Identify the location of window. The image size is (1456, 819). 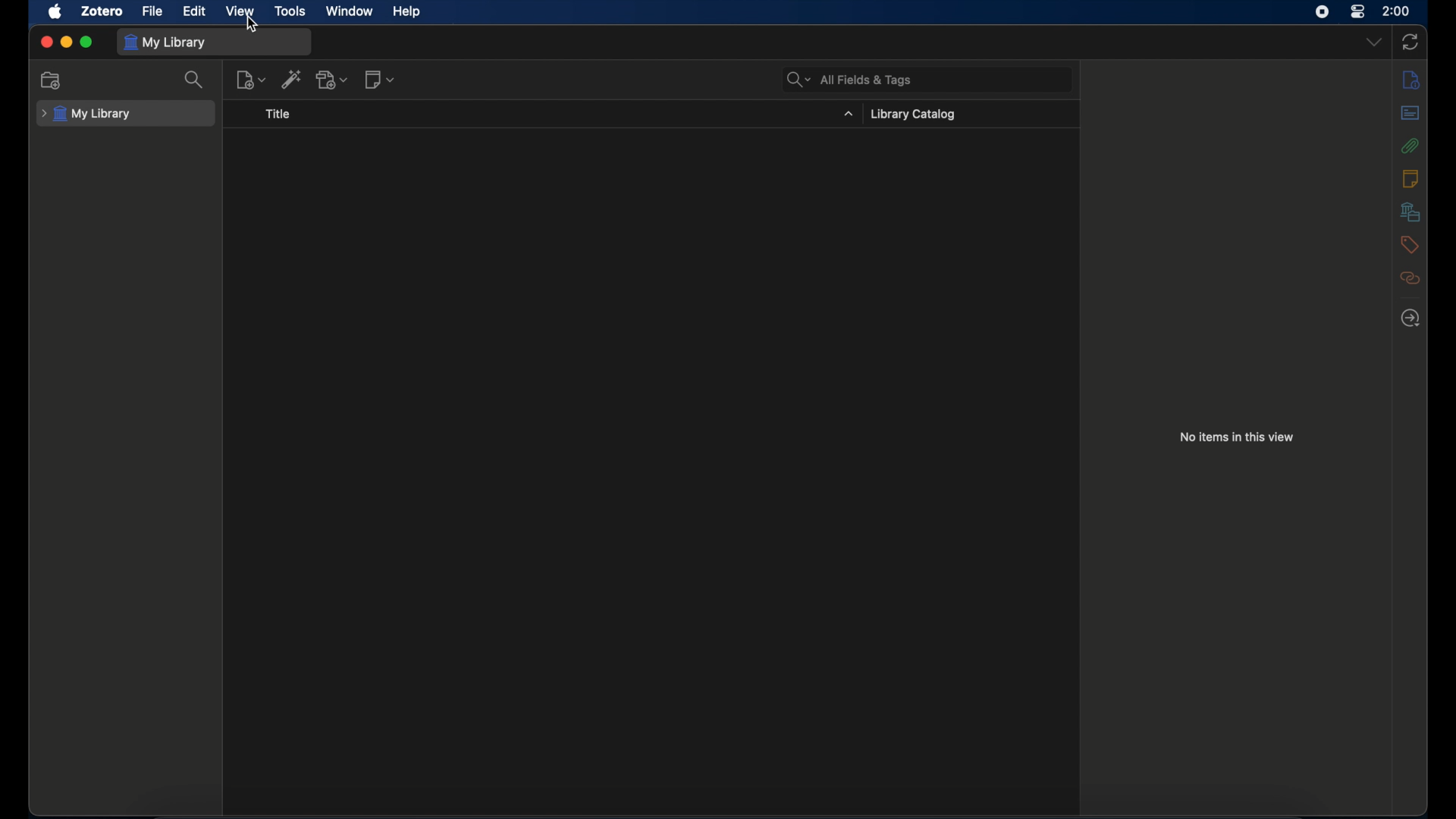
(350, 12).